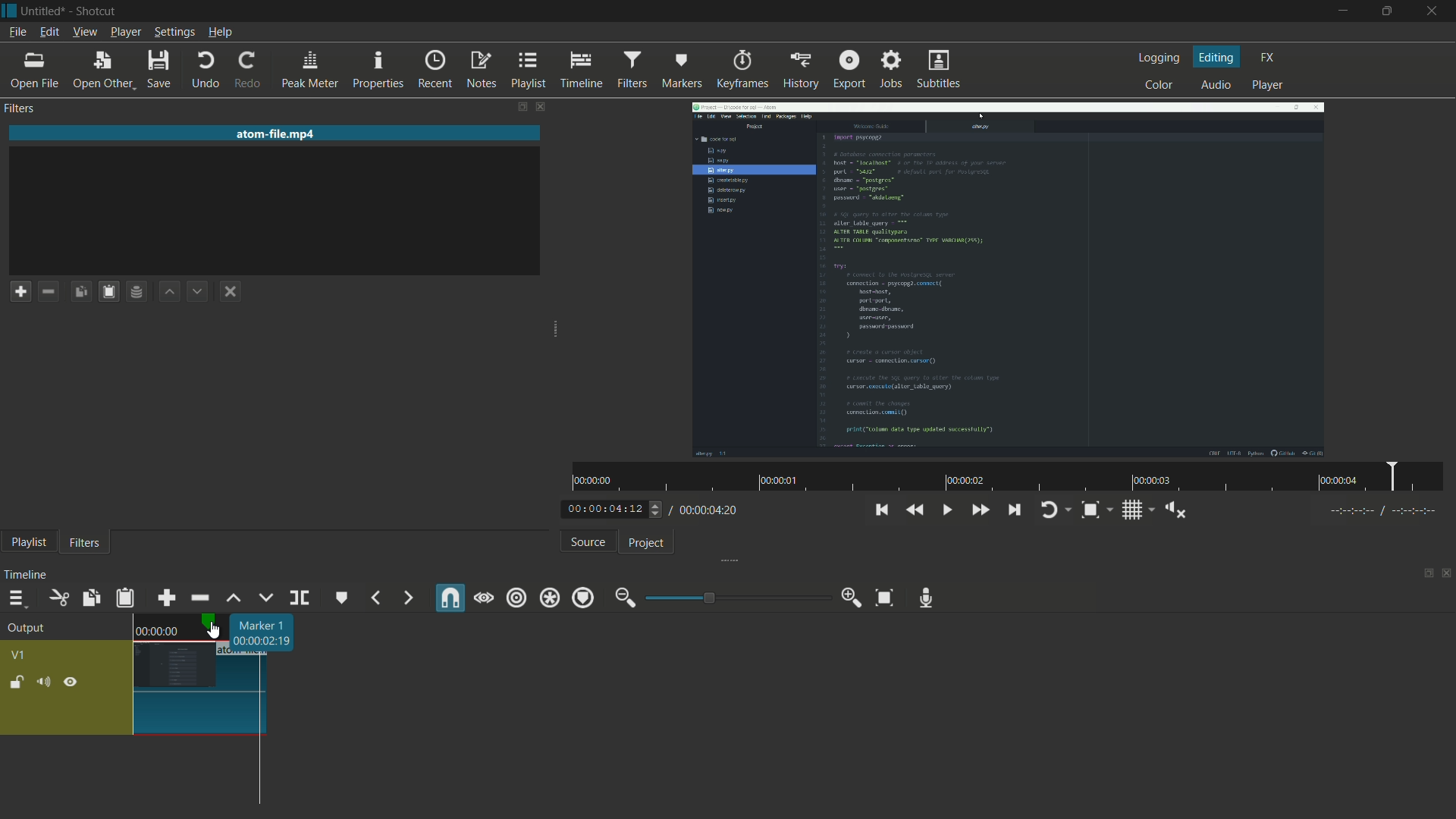 This screenshot has height=819, width=1456. Describe the element at coordinates (308, 71) in the screenshot. I see `peak meter` at that location.